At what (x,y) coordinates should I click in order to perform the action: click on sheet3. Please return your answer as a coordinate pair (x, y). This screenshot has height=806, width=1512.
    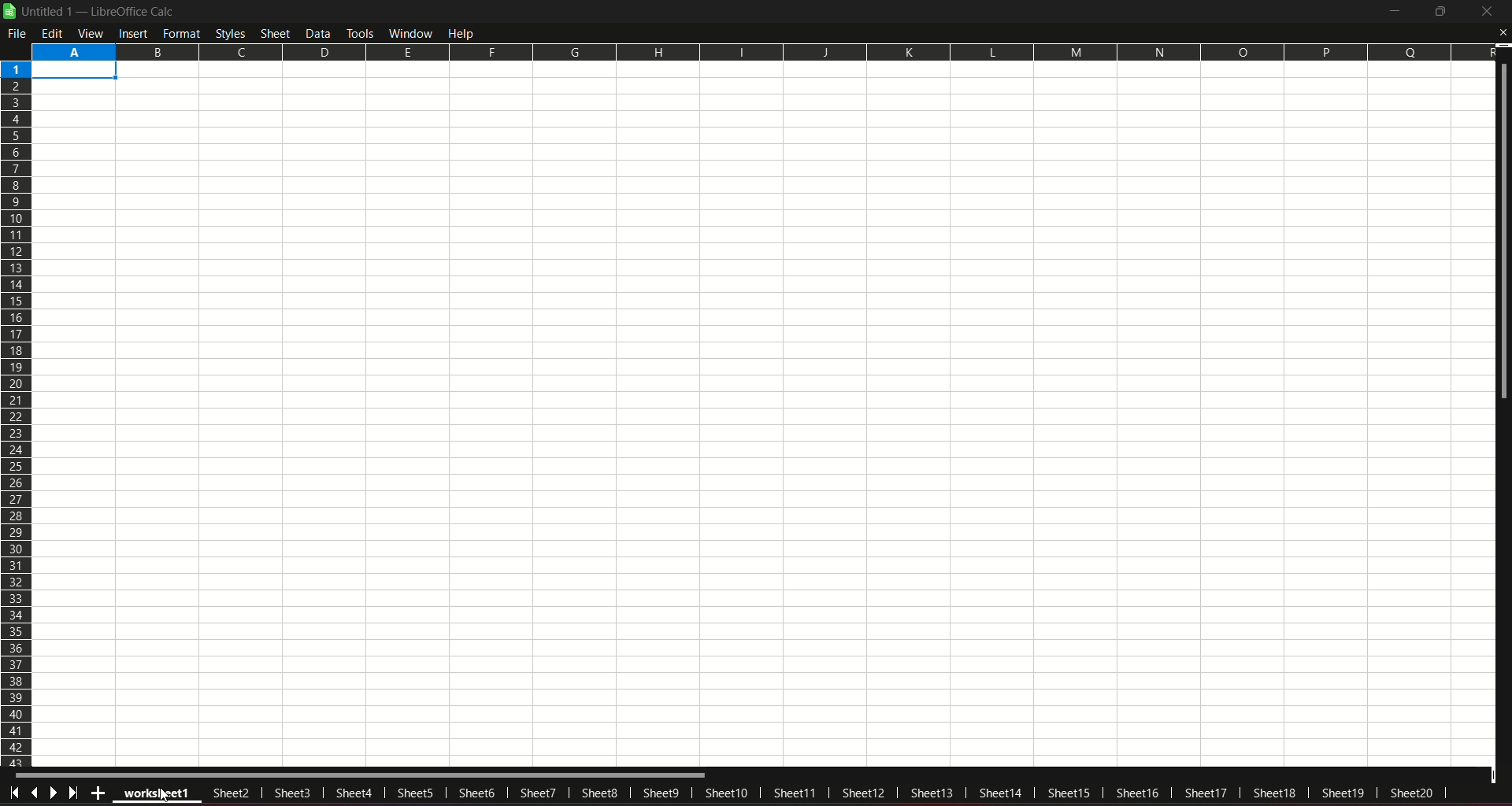
    Looking at the image, I should click on (292, 793).